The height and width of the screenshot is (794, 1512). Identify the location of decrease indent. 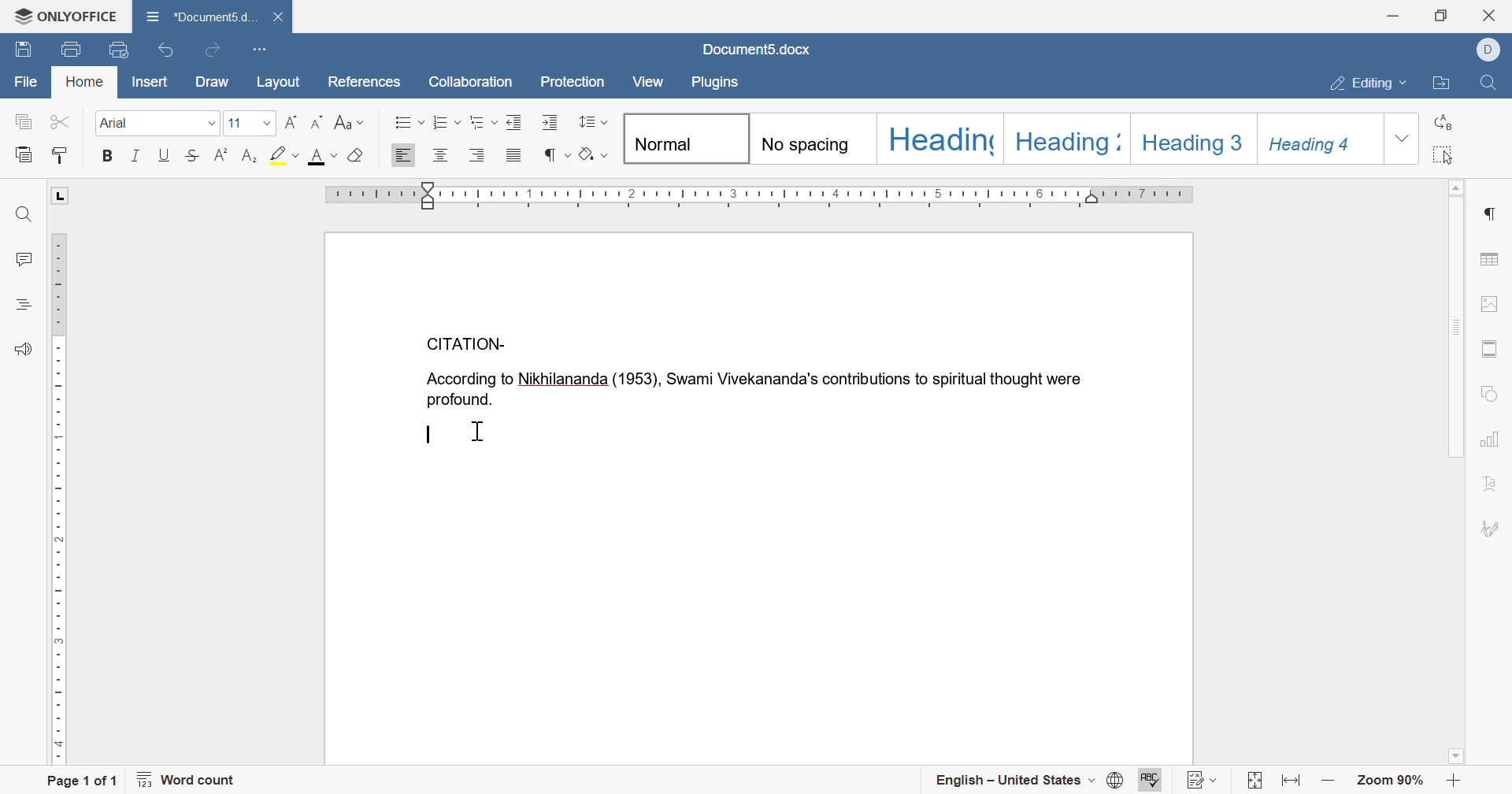
(517, 124).